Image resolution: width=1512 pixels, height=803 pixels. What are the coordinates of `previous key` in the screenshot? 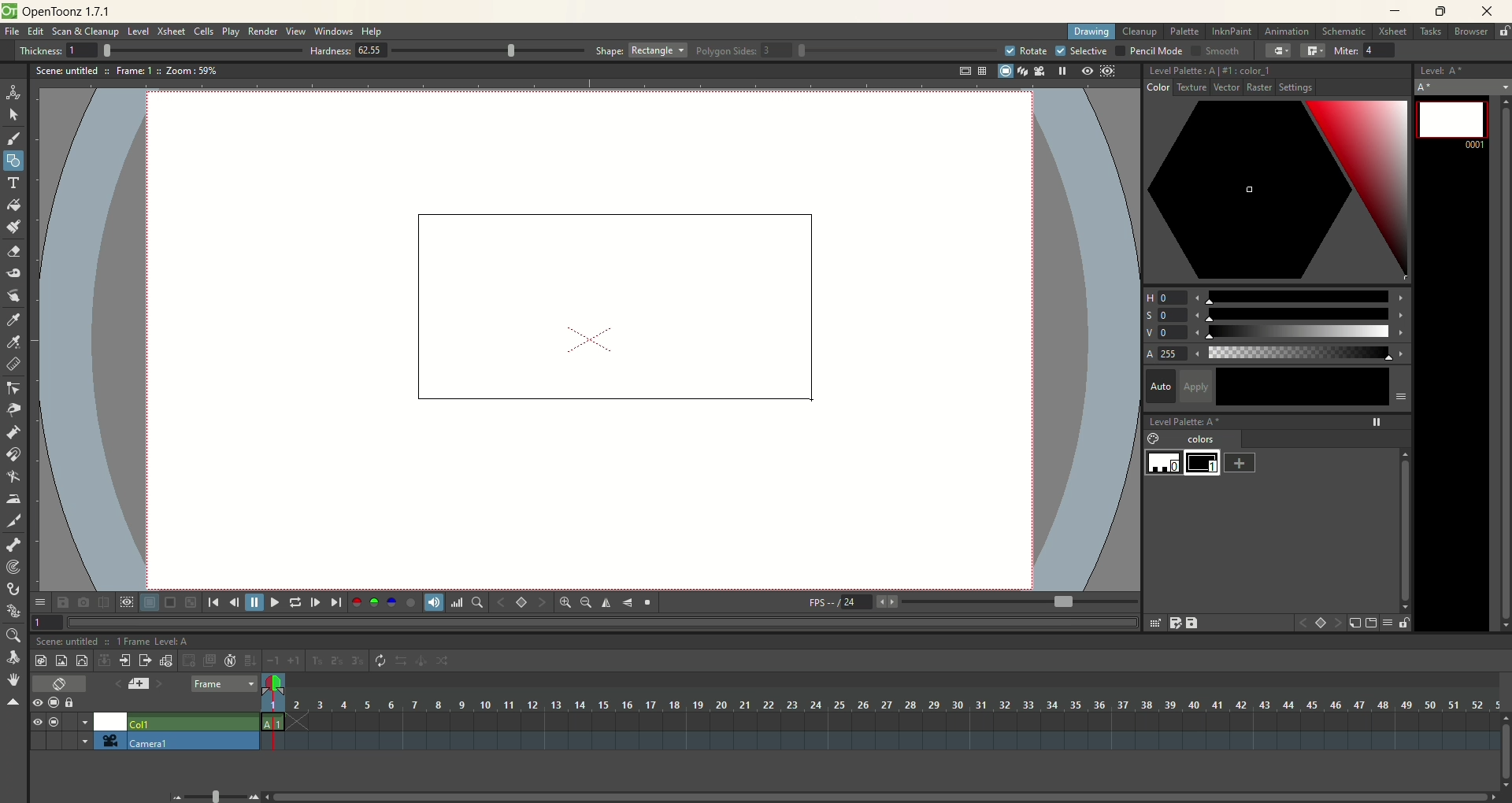 It's located at (502, 602).